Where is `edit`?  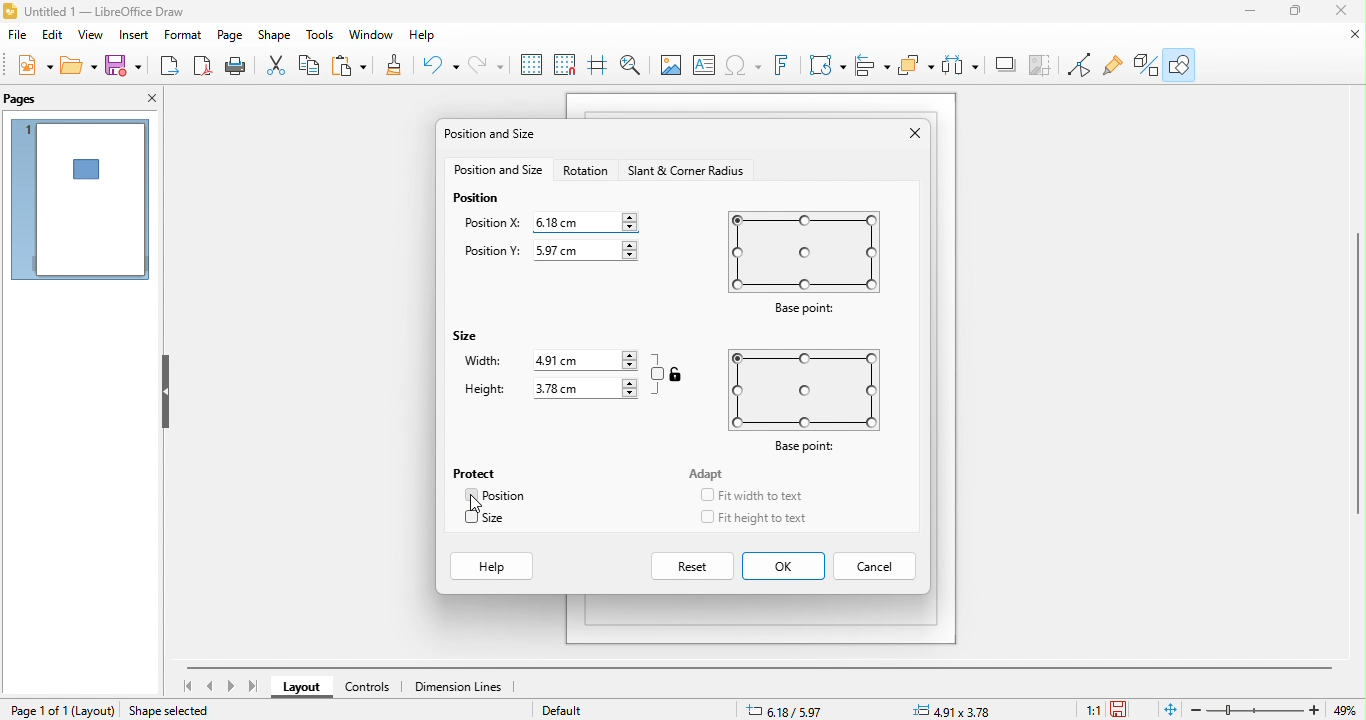
edit is located at coordinates (52, 35).